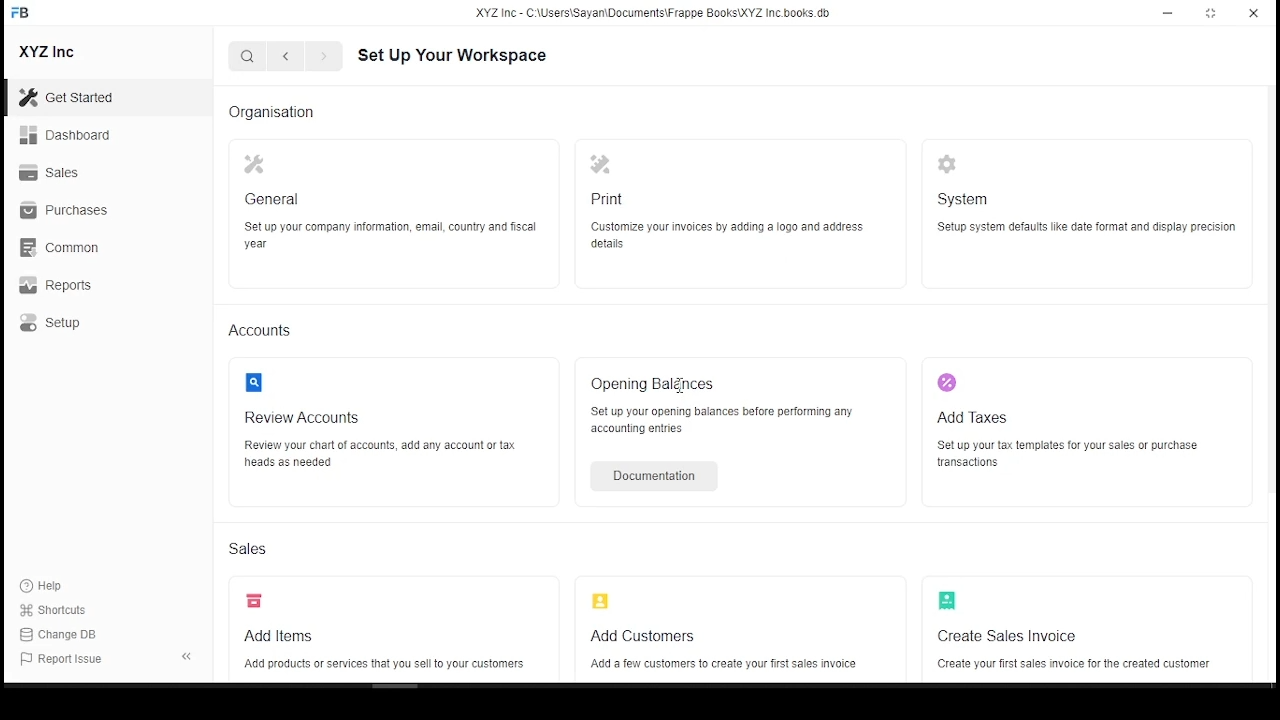 The width and height of the screenshot is (1280, 720). What do you see at coordinates (721, 421) in the screenshot?
I see `set up your opening balances before performing any accounting entries` at bounding box center [721, 421].